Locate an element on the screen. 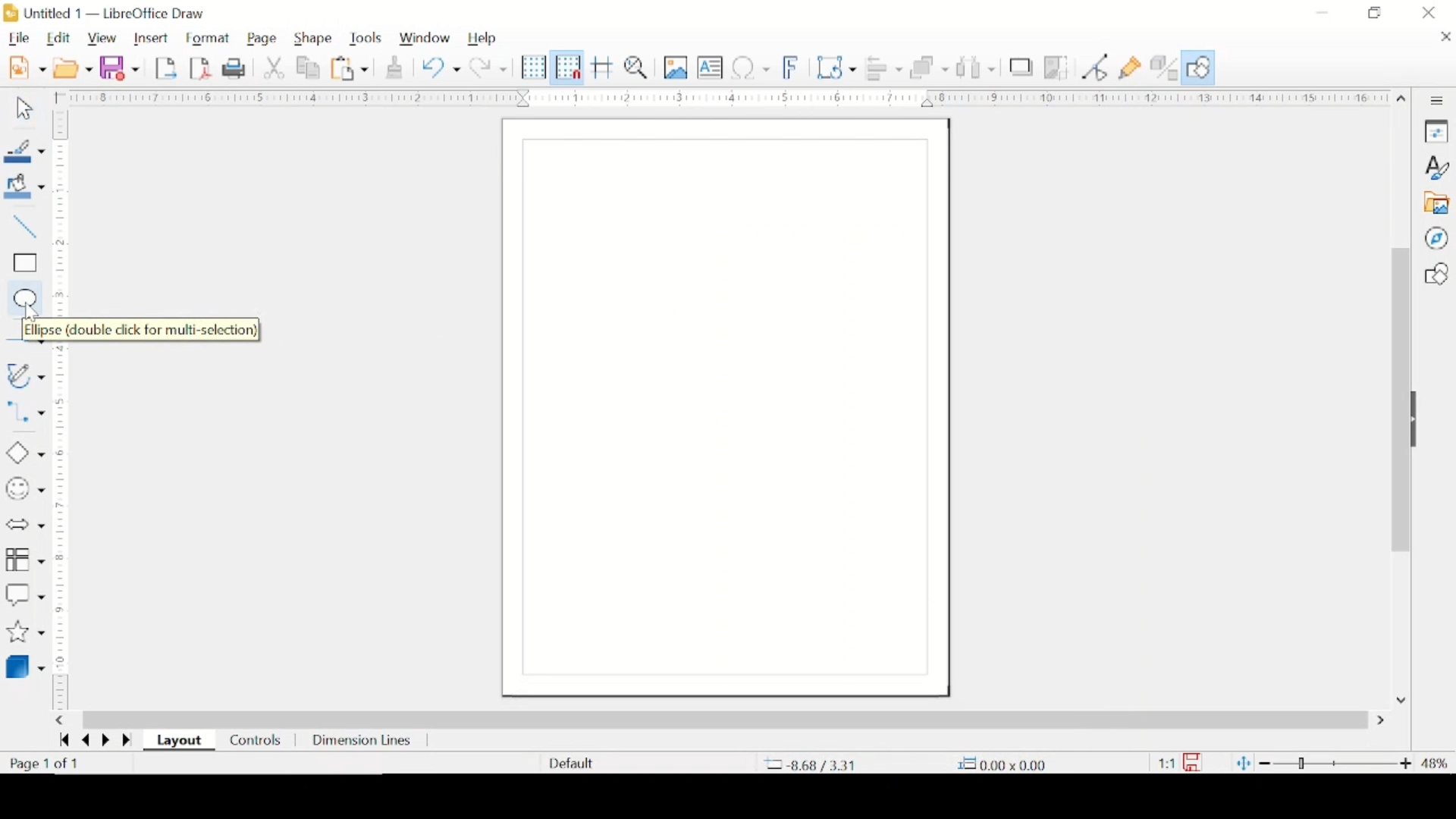  shapes is located at coordinates (1436, 274).